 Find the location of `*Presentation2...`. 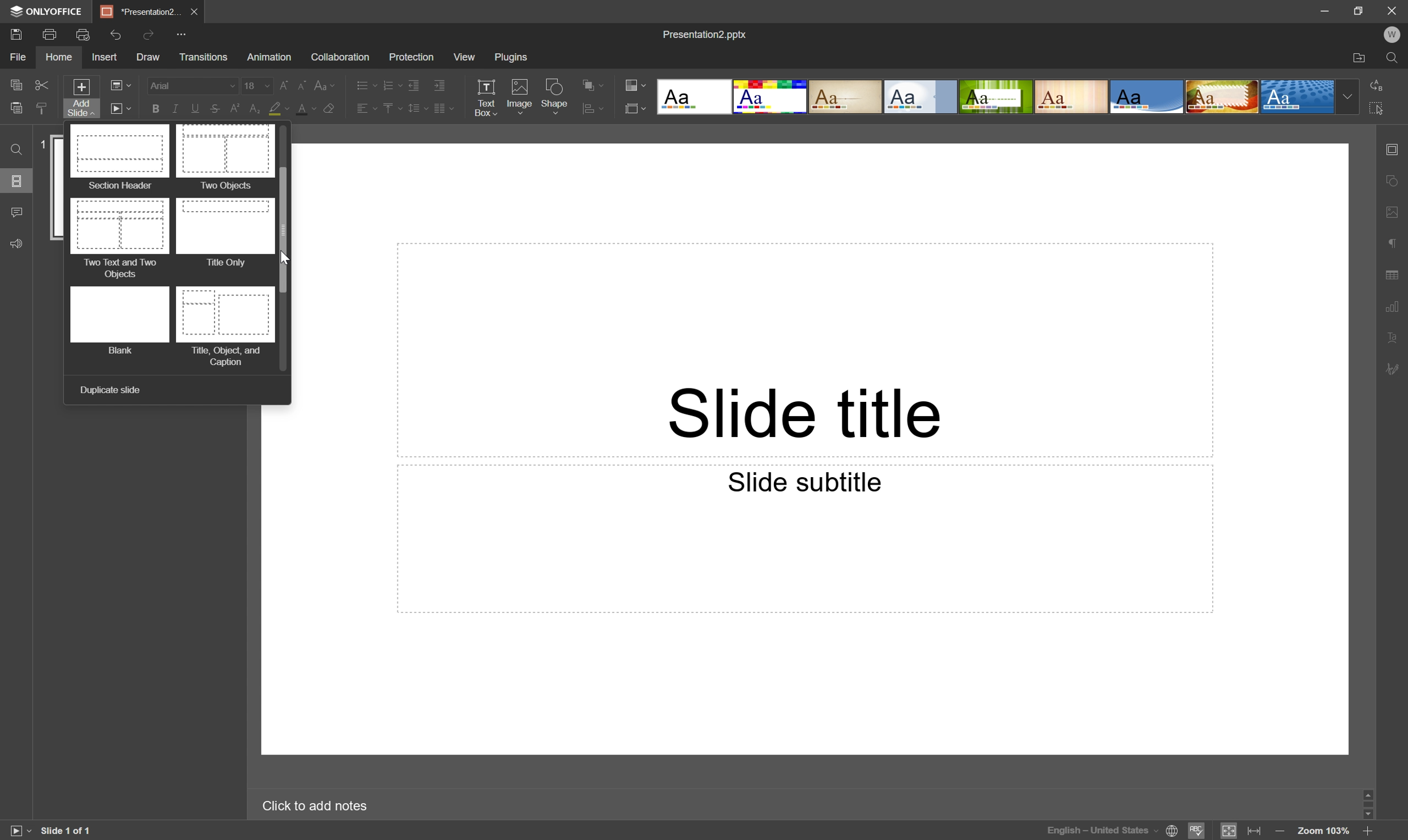

*Presentation2... is located at coordinates (139, 11).